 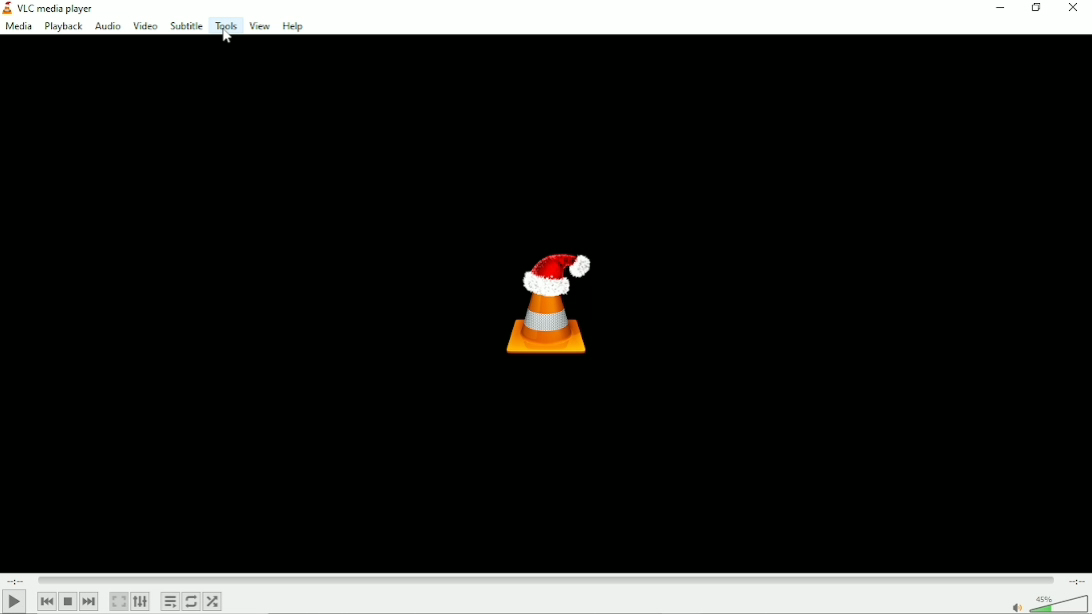 I want to click on Toggle loop all, loop one and no loop, so click(x=192, y=602).